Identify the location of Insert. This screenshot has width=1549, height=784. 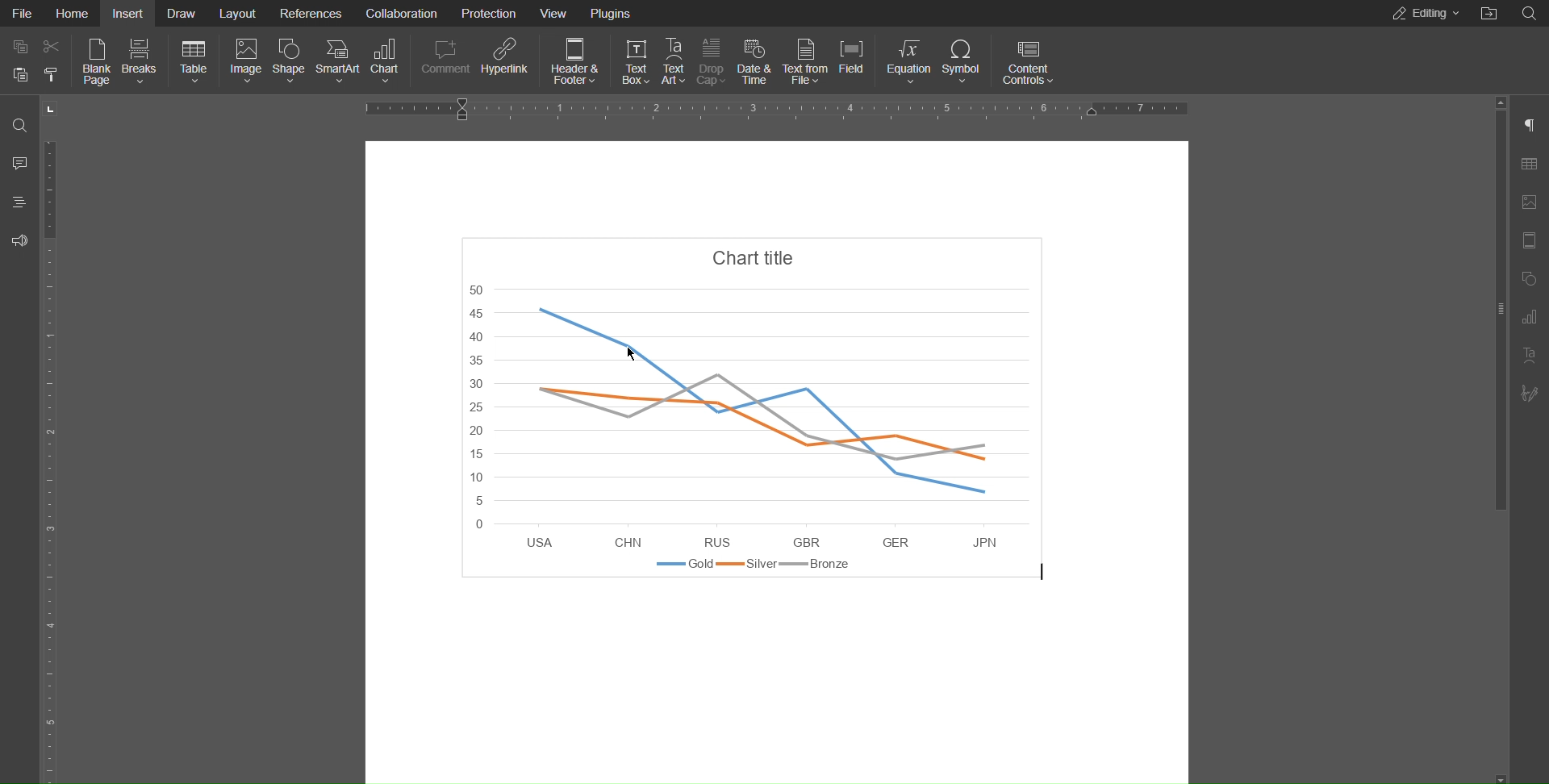
(127, 14).